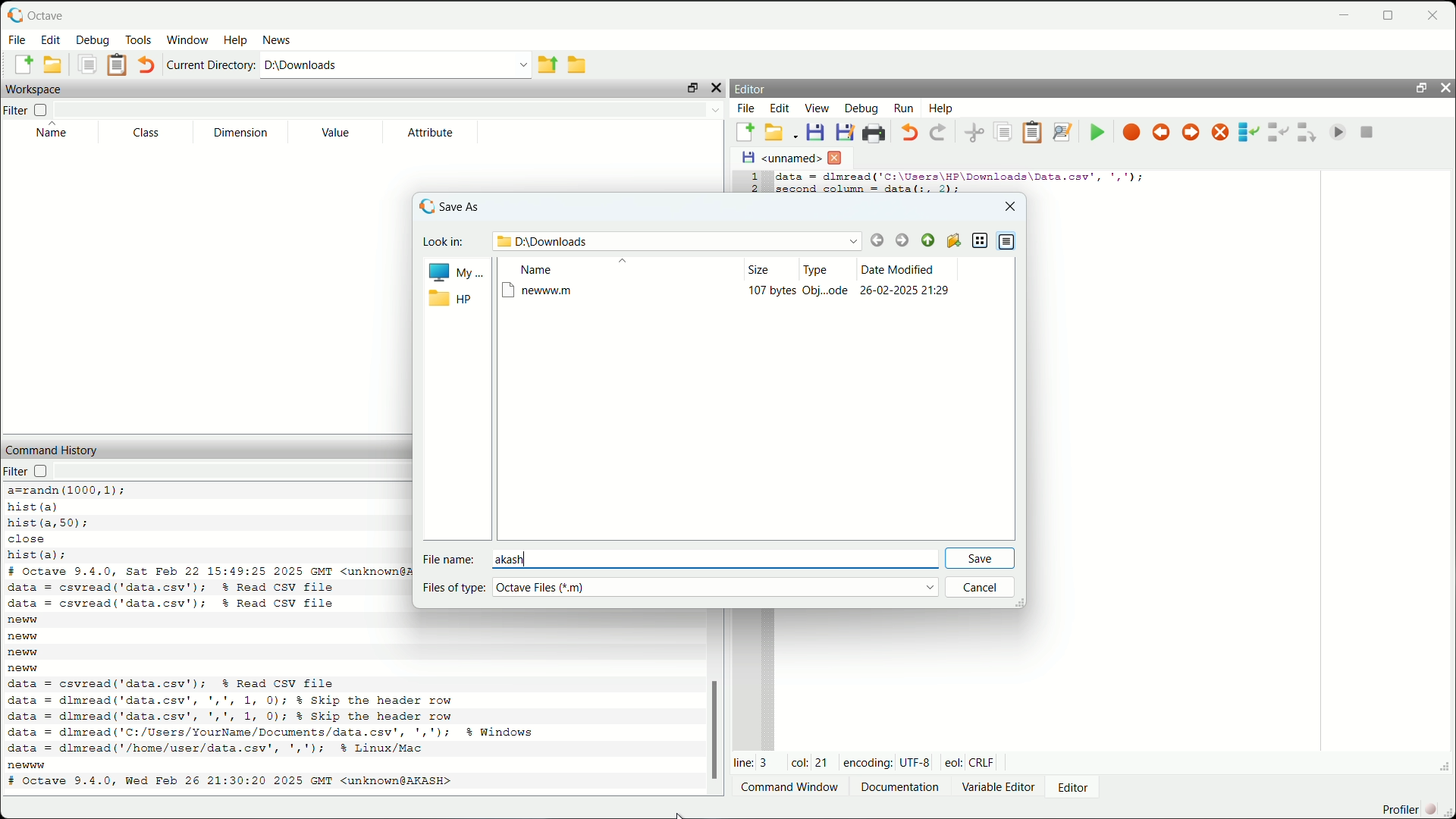 This screenshot has height=819, width=1456. I want to click on filter, so click(28, 111).